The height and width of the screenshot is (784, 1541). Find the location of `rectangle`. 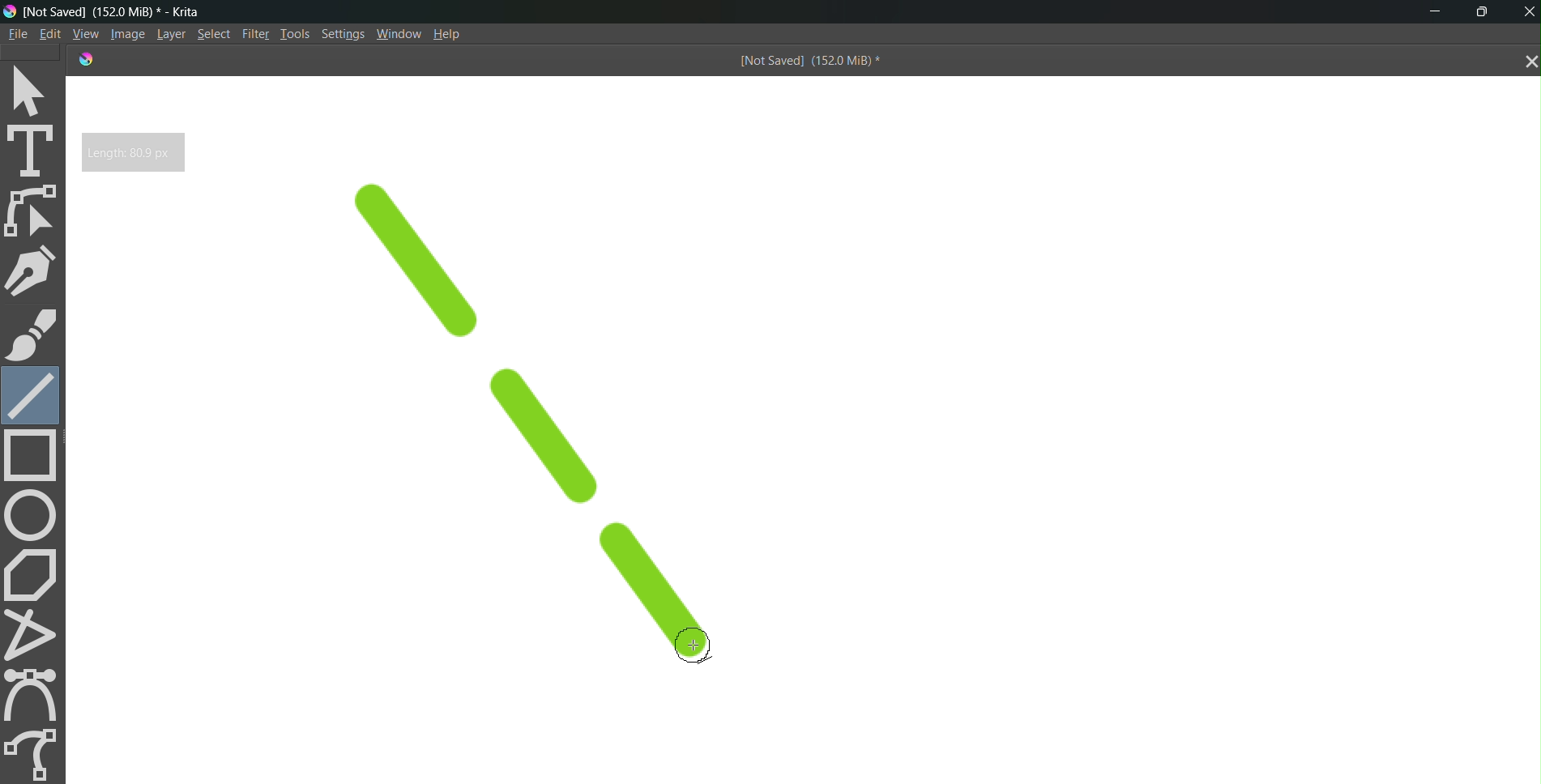

rectangle is located at coordinates (36, 457).